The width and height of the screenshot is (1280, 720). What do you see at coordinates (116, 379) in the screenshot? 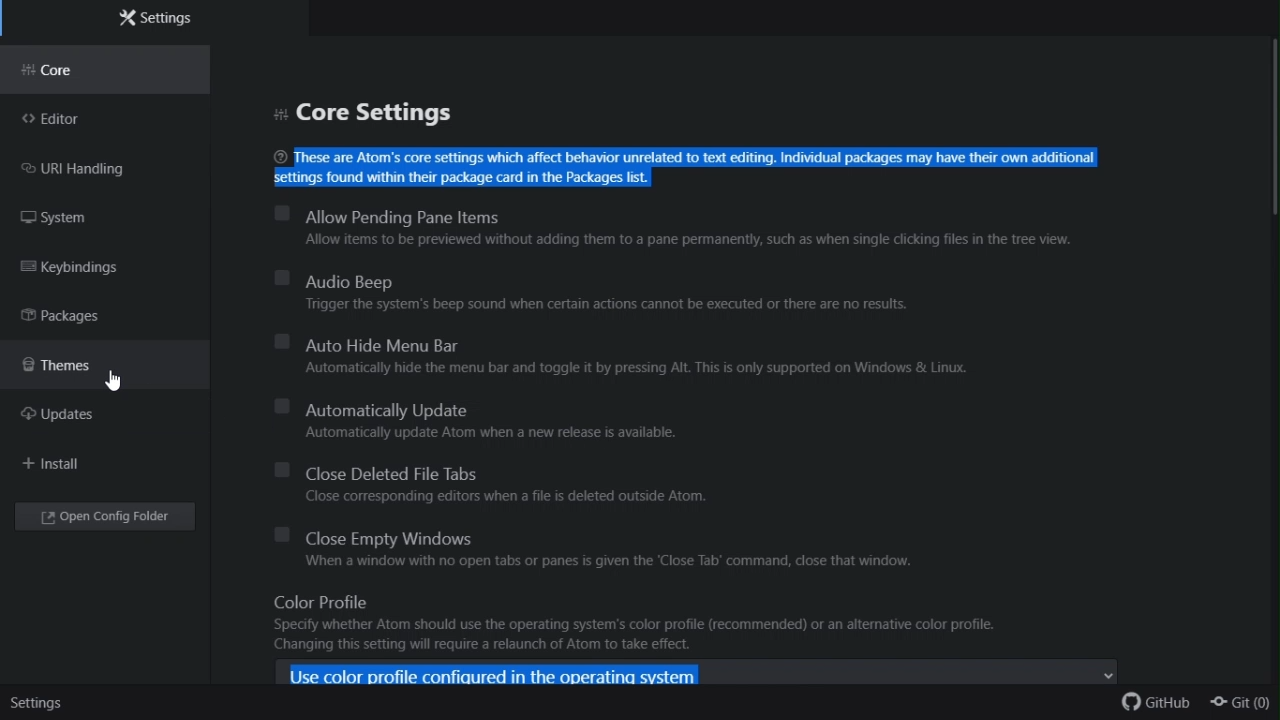
I see `cursor` at bounding box center [116, 379].